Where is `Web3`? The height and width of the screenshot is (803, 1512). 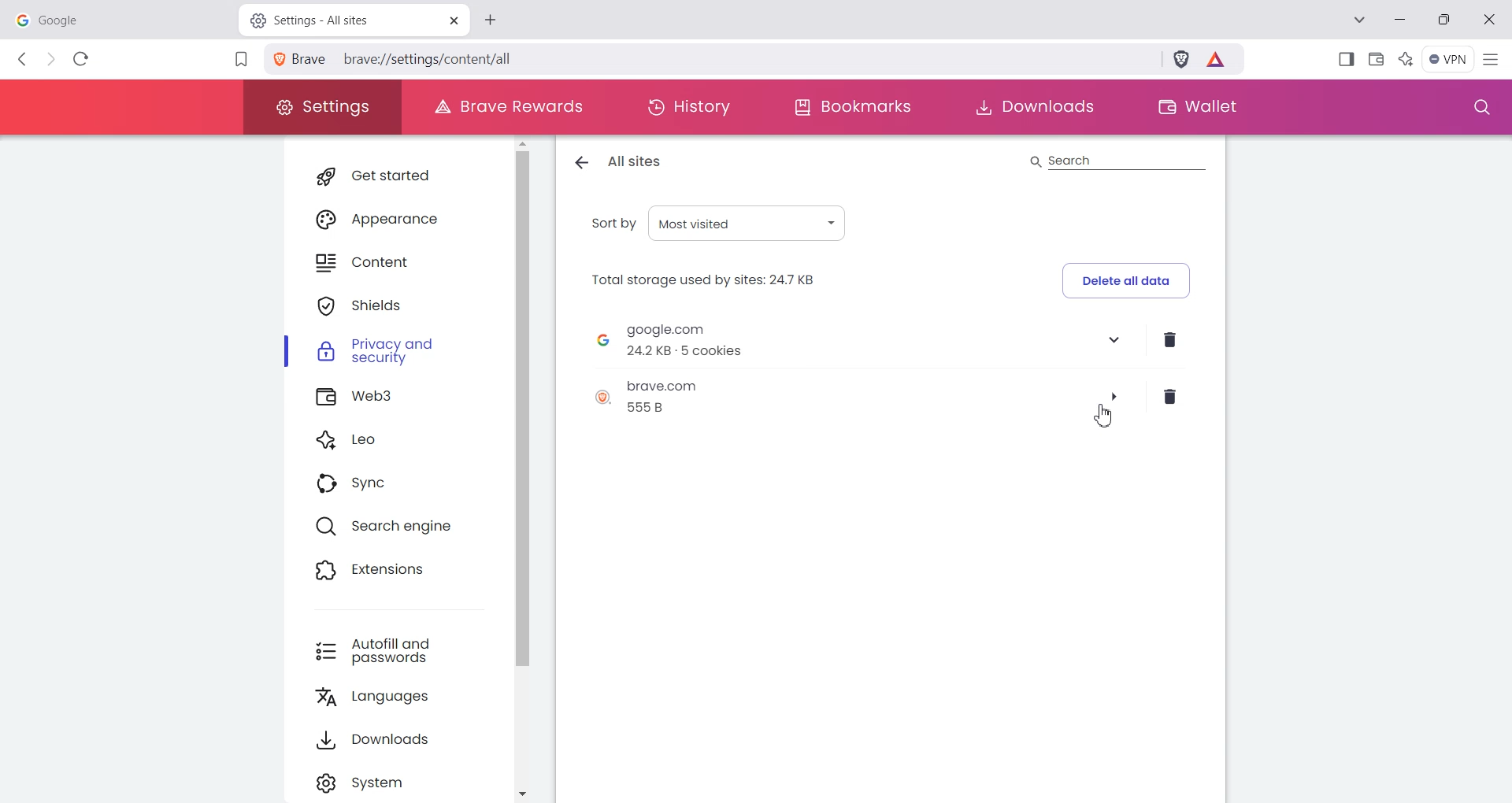 Web3 is located at coordinates (391, 398).